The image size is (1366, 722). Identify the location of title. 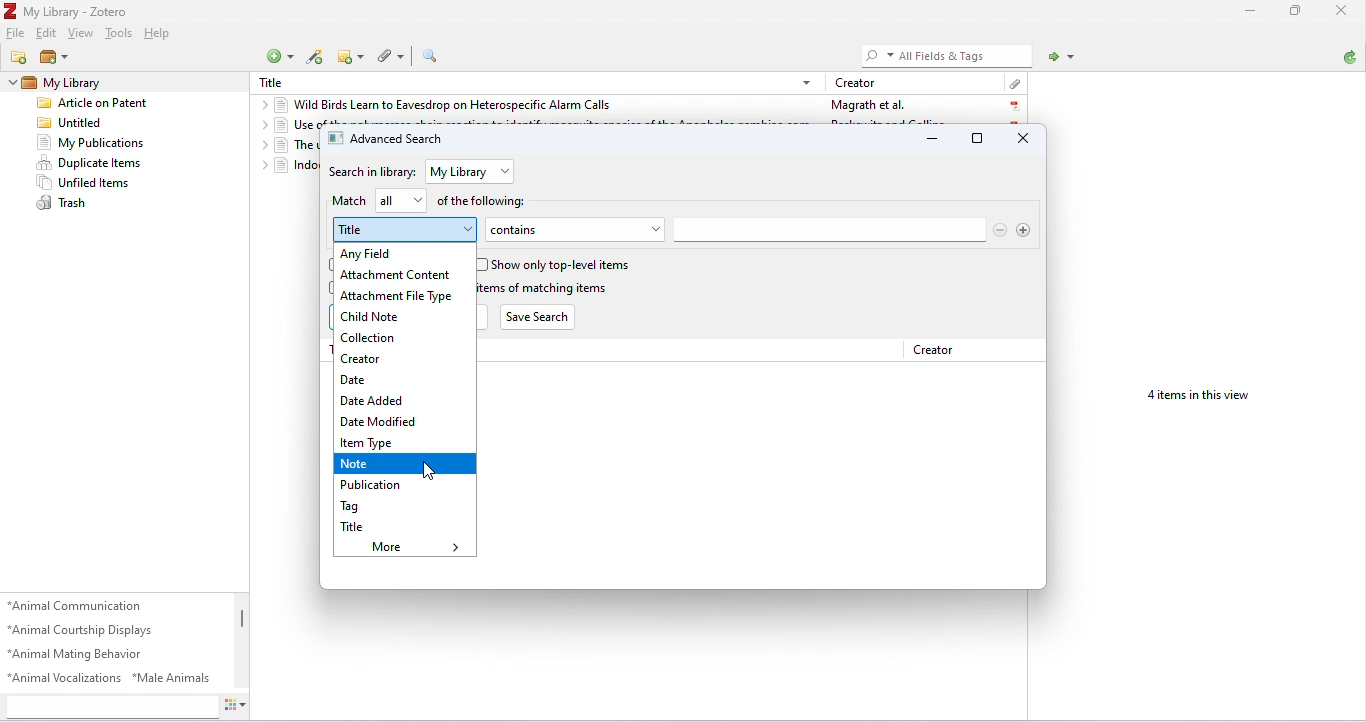
(359, 527).